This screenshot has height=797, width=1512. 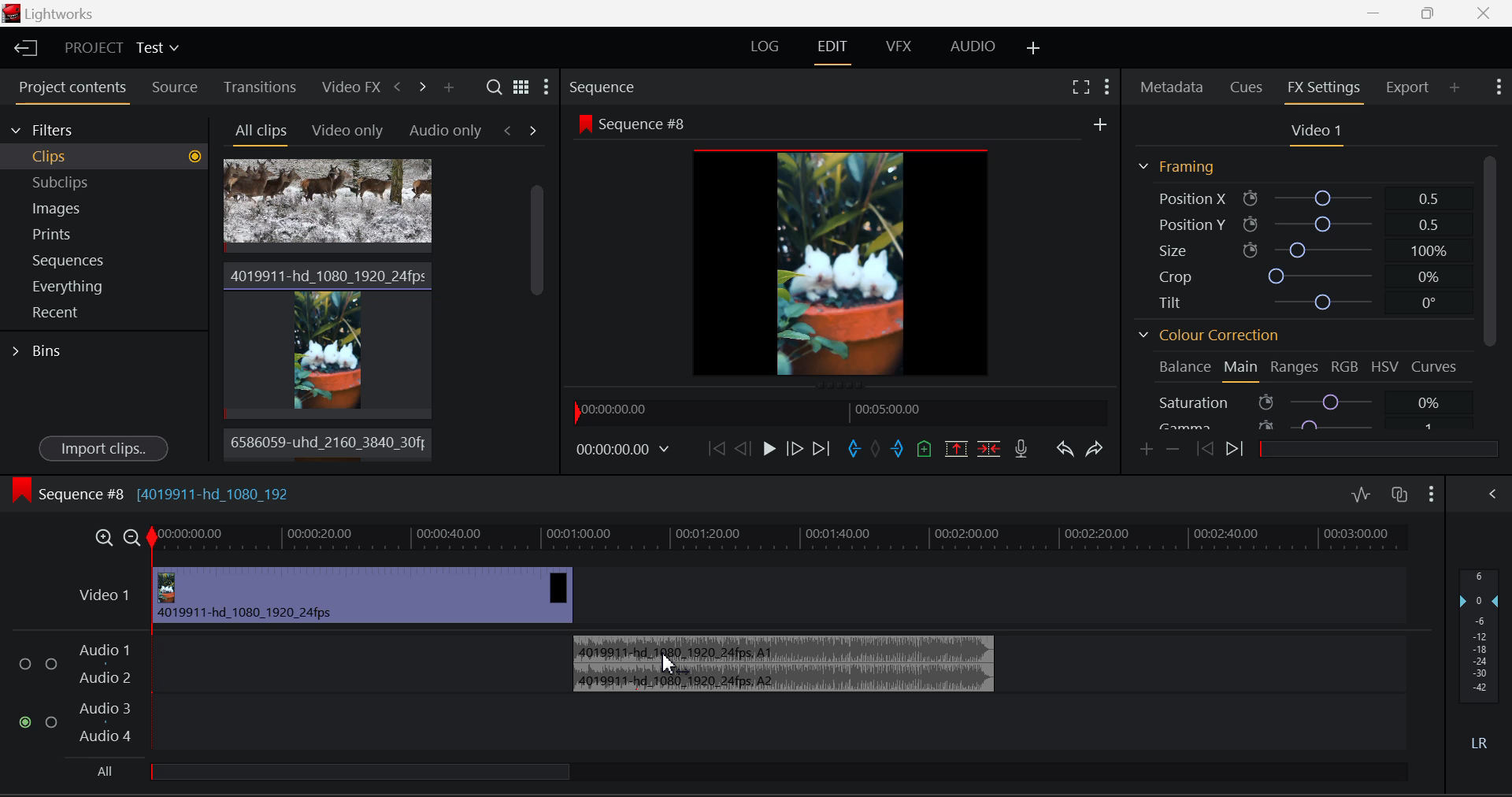 I want to click on Next keyframe, so click(x=1237, y=447).